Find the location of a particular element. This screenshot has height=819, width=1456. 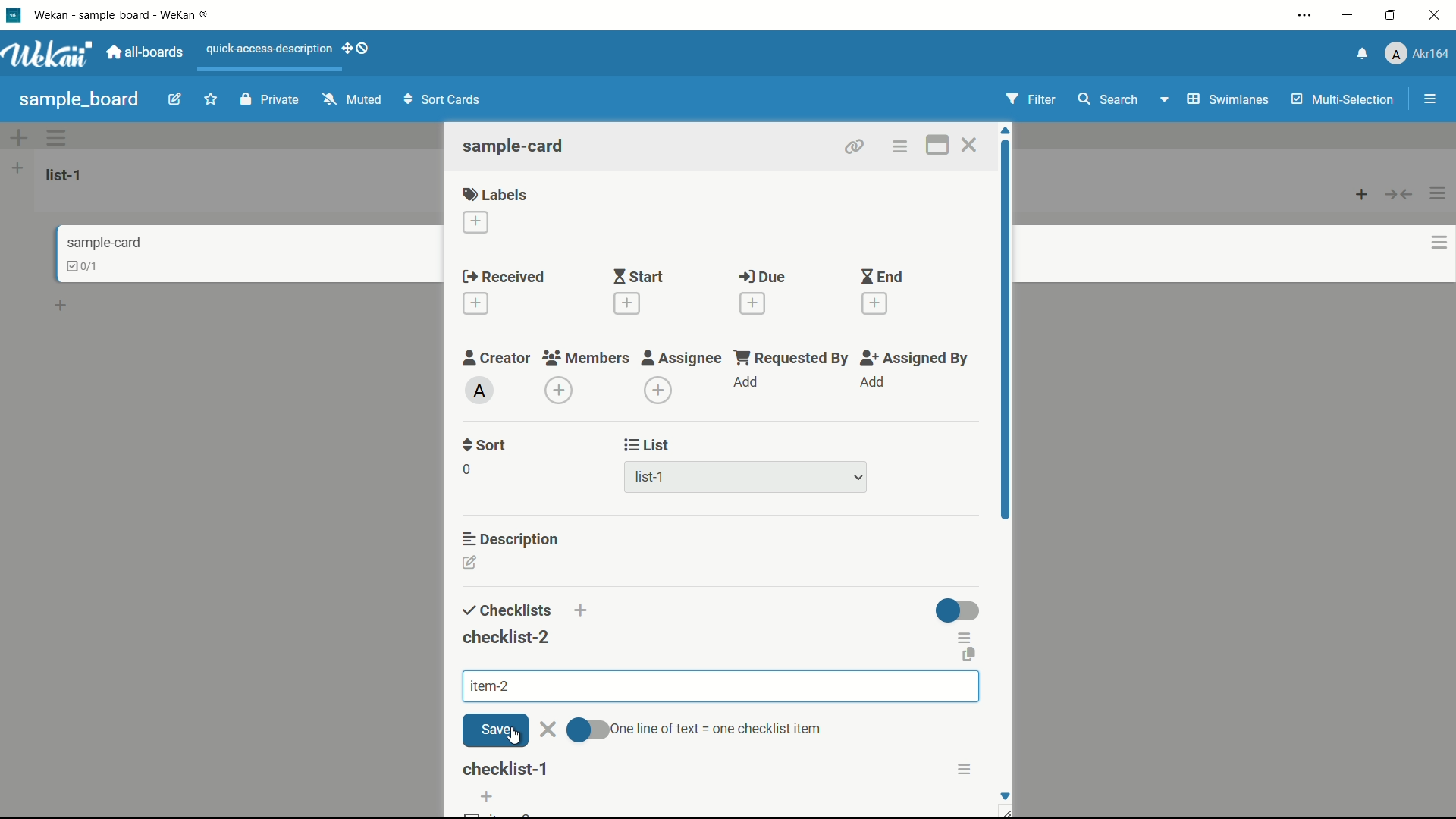

maximize is located at coordinates (1393, 16).